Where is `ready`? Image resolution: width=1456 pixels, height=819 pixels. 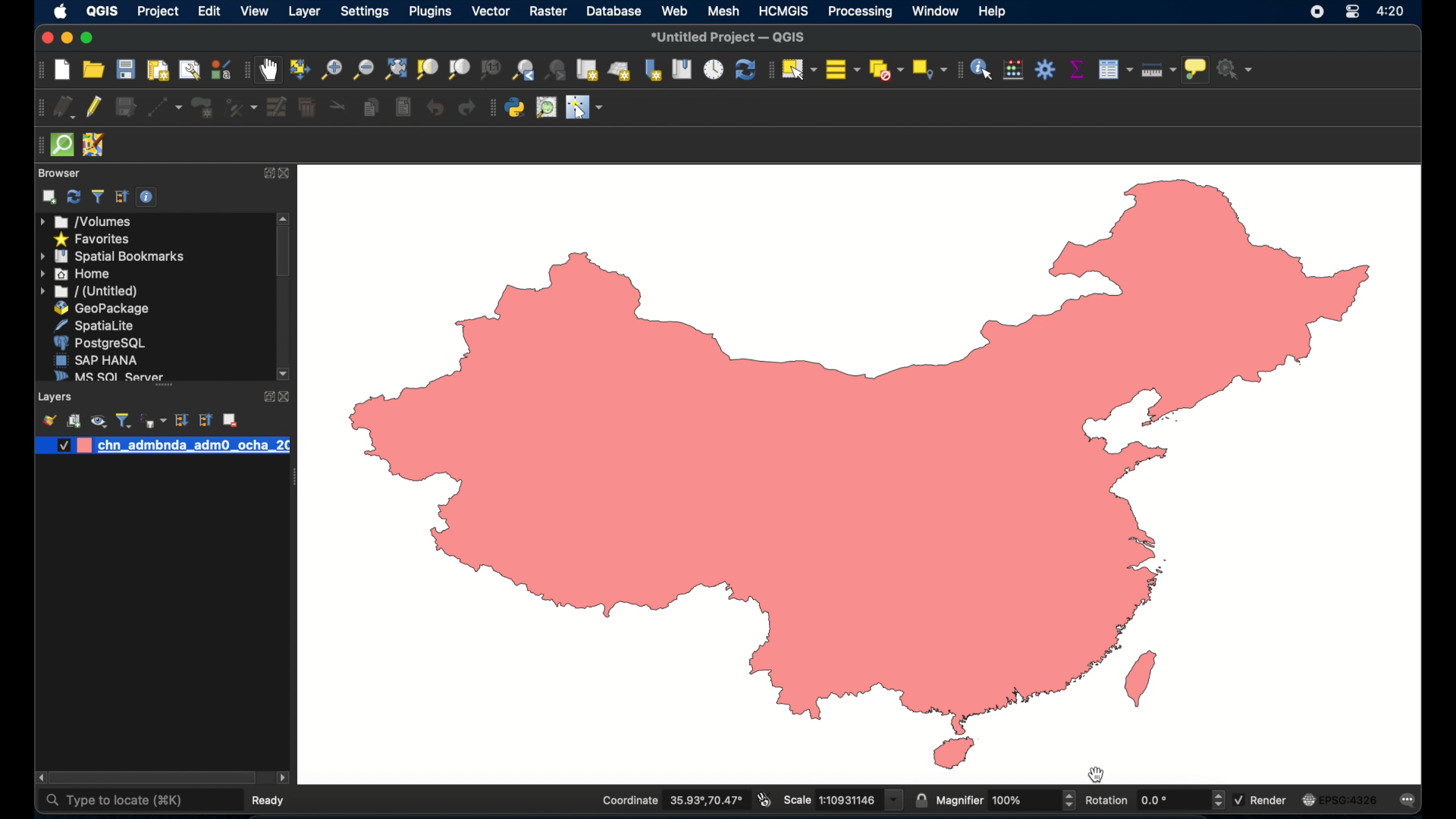
ready is located at coordinates (272, 799).